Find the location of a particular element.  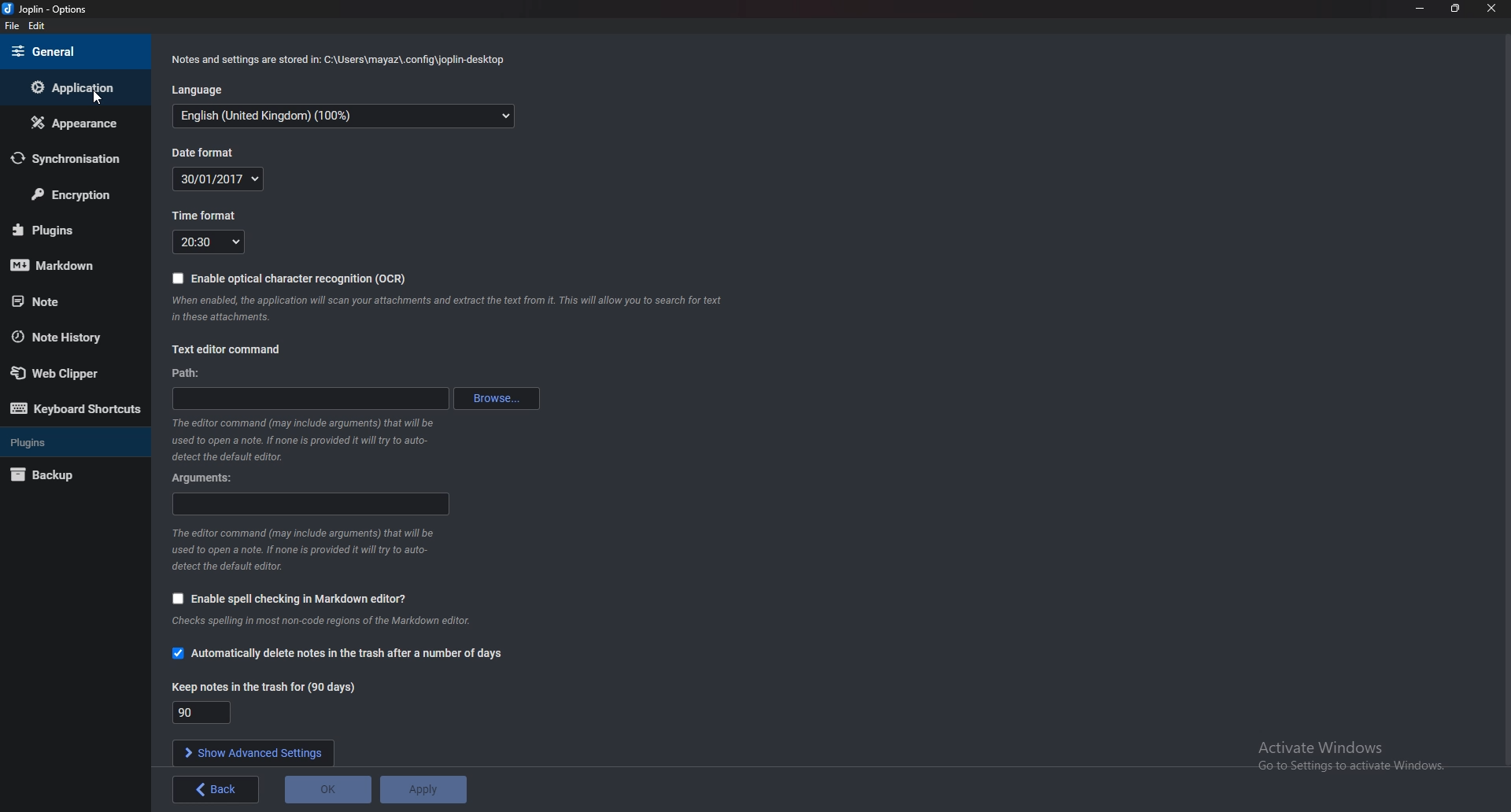

Resize is located at coordinates (1455, 9).